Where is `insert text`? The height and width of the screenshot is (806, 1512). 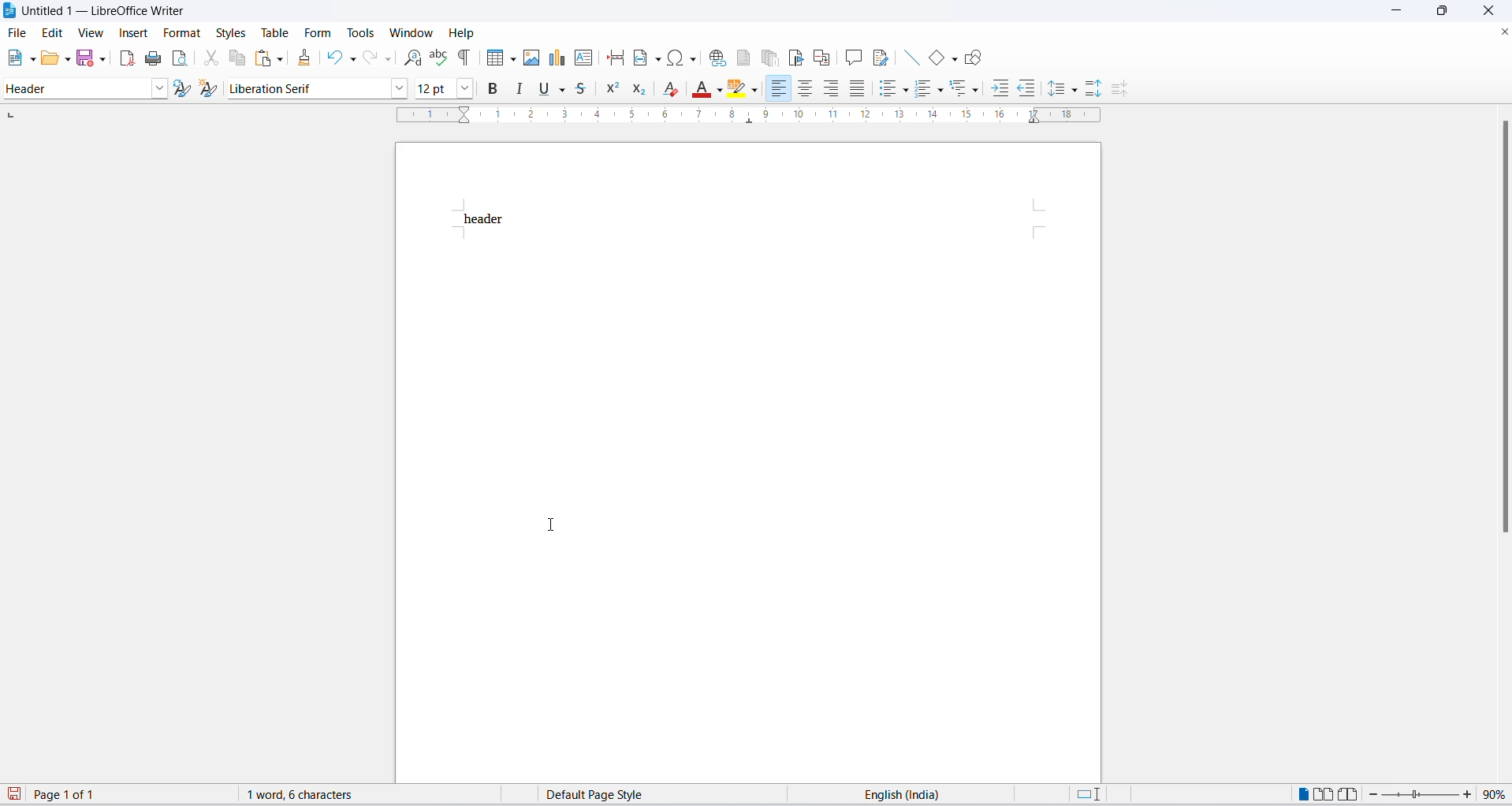
insert text is located at coordinates (583, 58).